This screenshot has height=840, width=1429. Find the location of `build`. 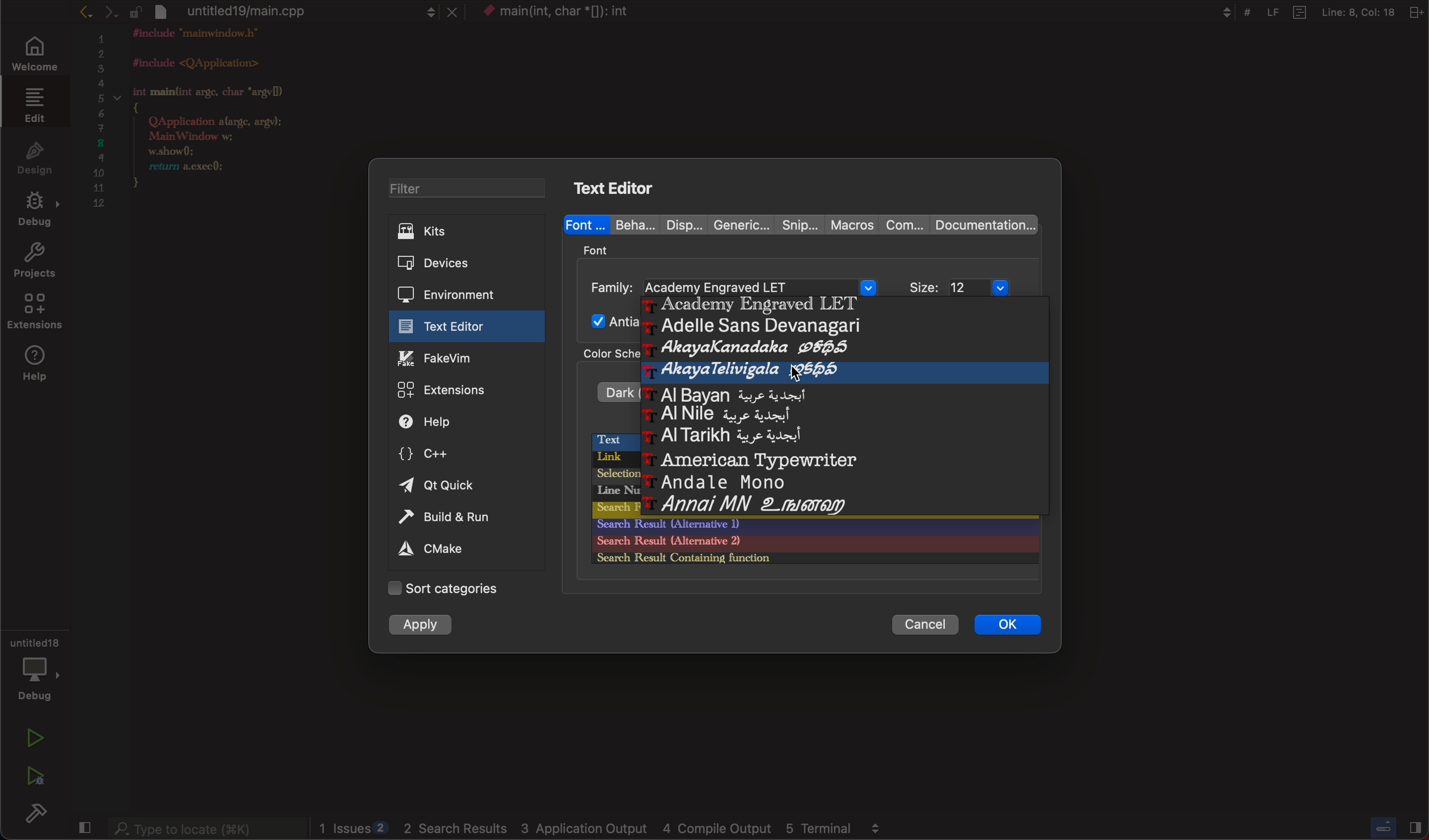

build is located at coordinates (37, 812).